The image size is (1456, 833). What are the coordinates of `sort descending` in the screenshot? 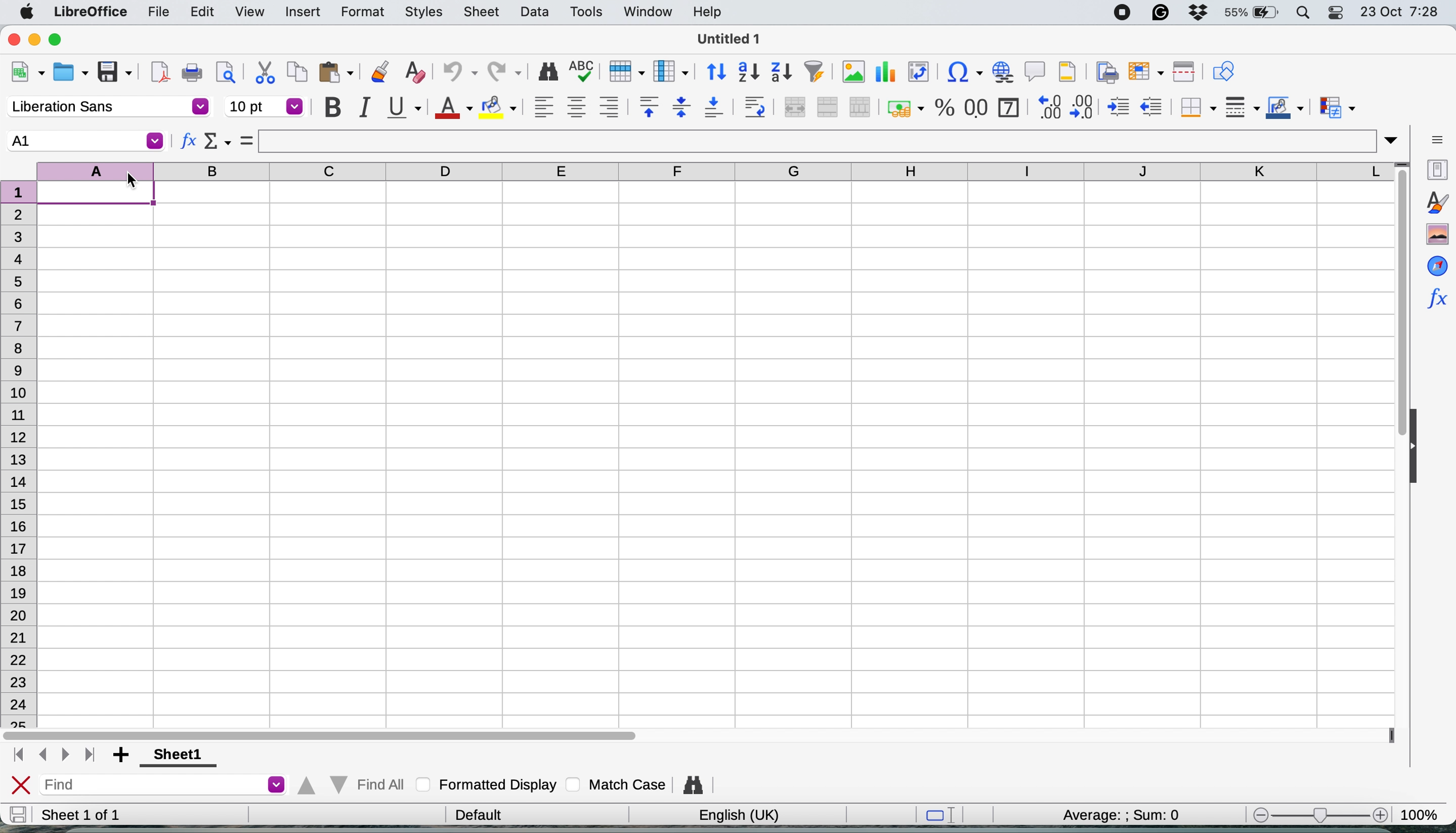 It's located at (782, 72).